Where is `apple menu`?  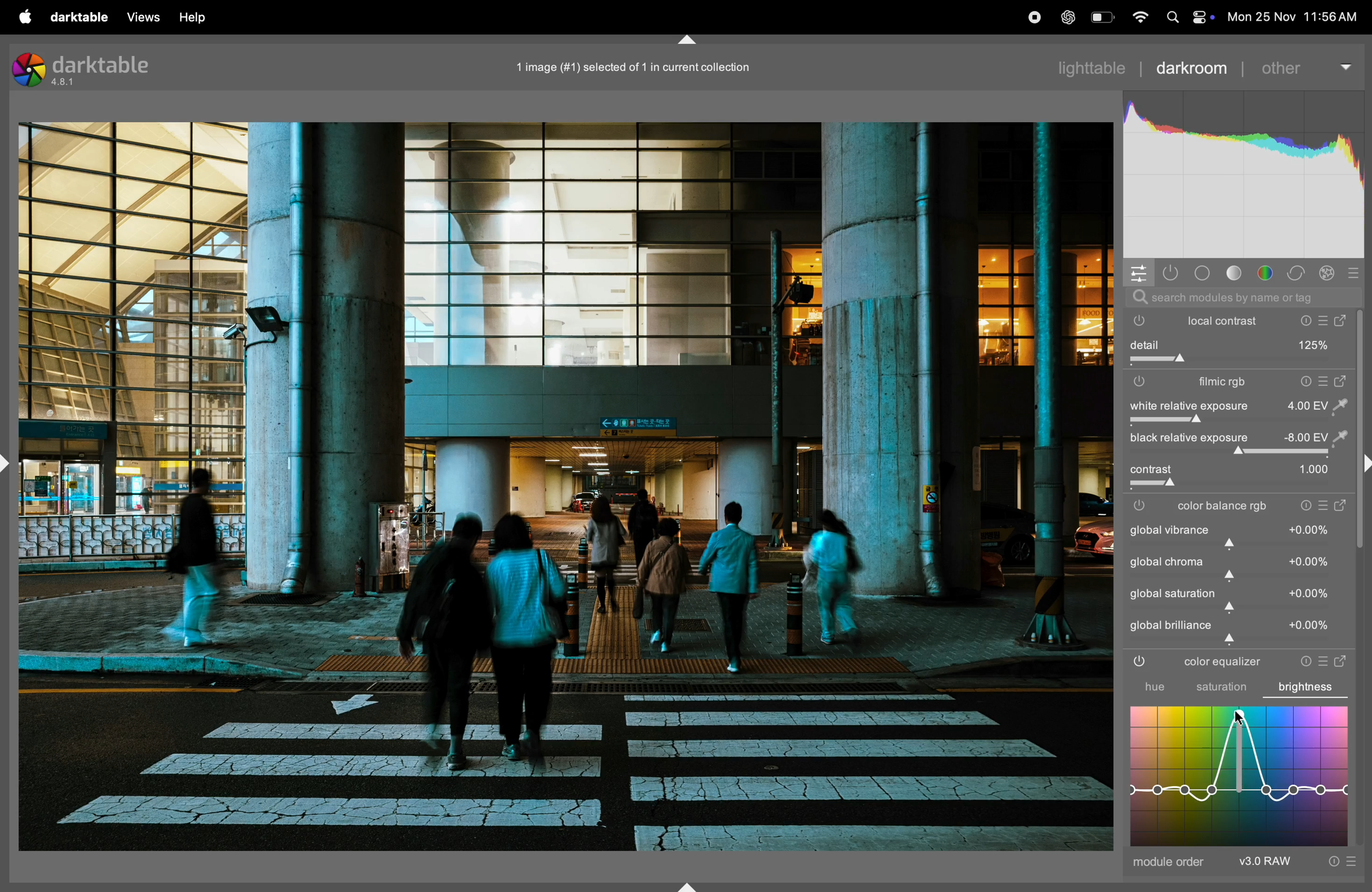 apple menu is located at coordinates (25, 17).